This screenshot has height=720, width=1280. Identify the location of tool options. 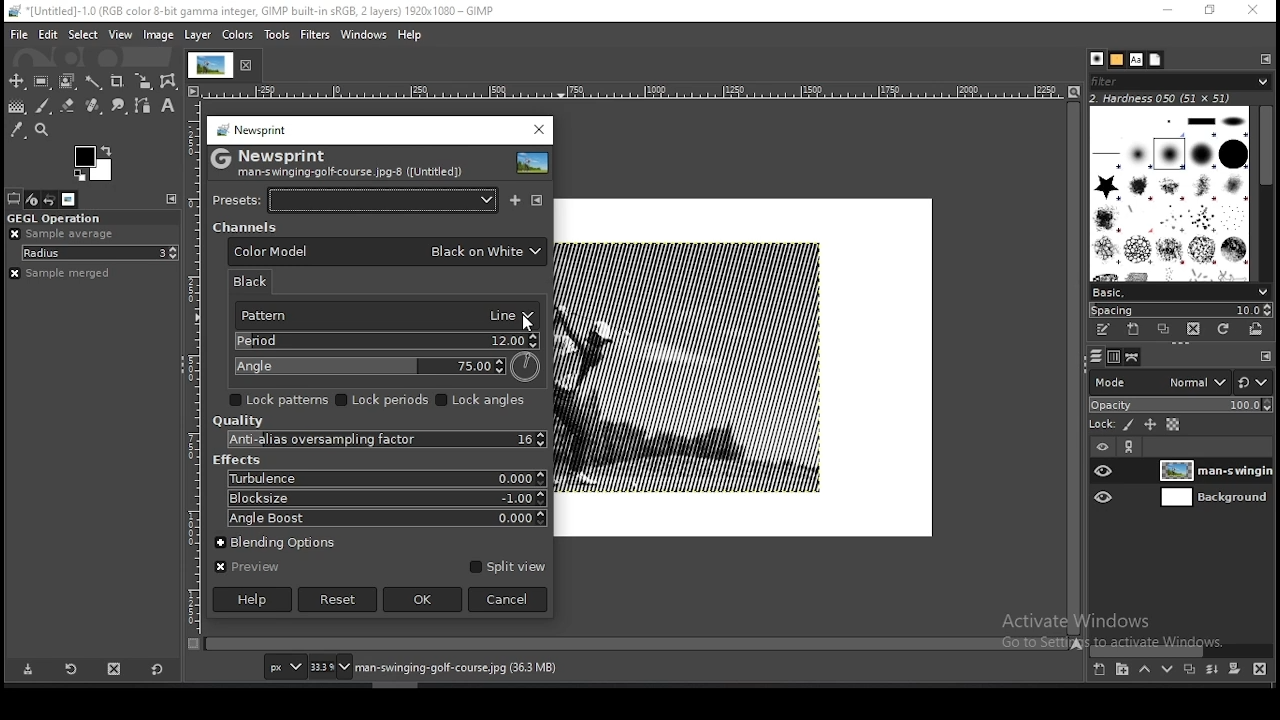
(14, 198).